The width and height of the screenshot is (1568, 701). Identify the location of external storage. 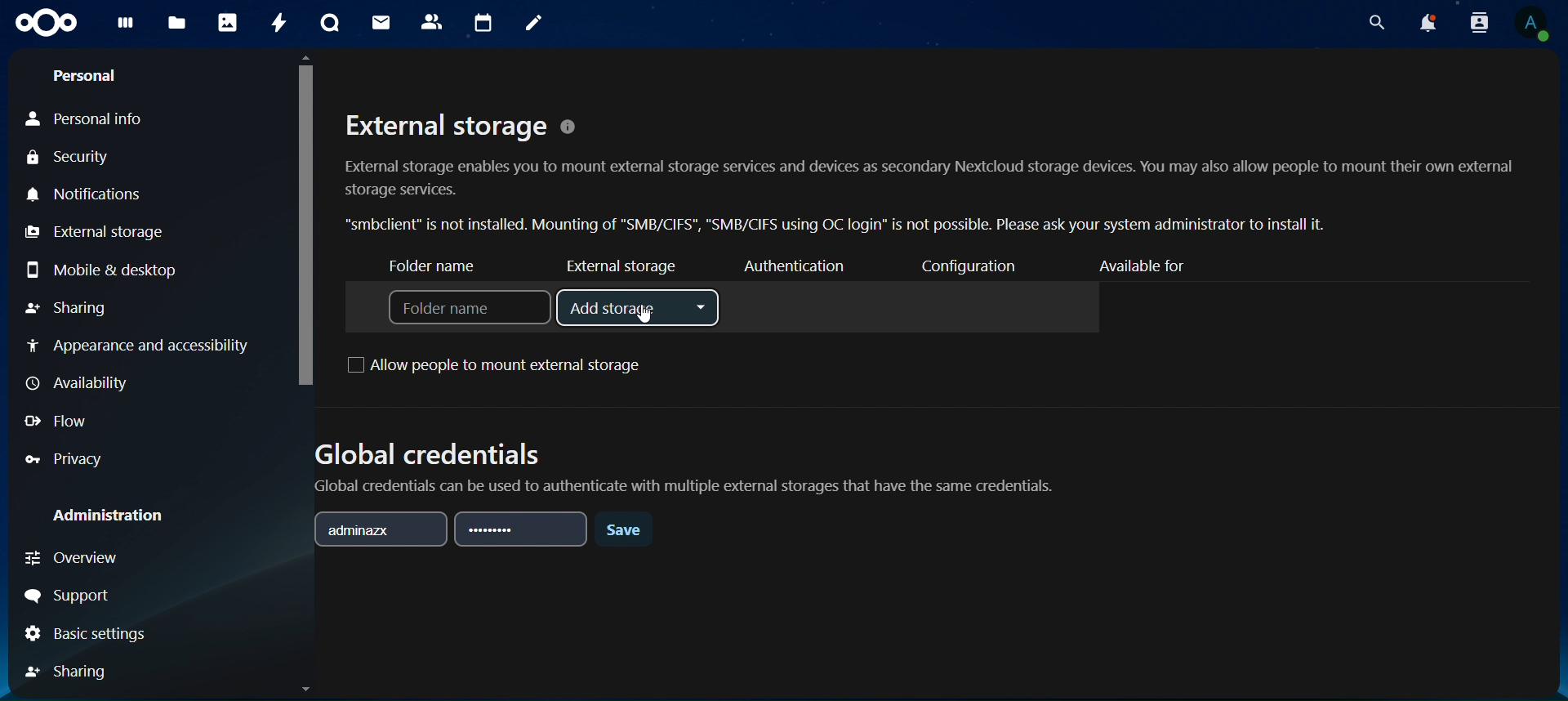
(621, 266).